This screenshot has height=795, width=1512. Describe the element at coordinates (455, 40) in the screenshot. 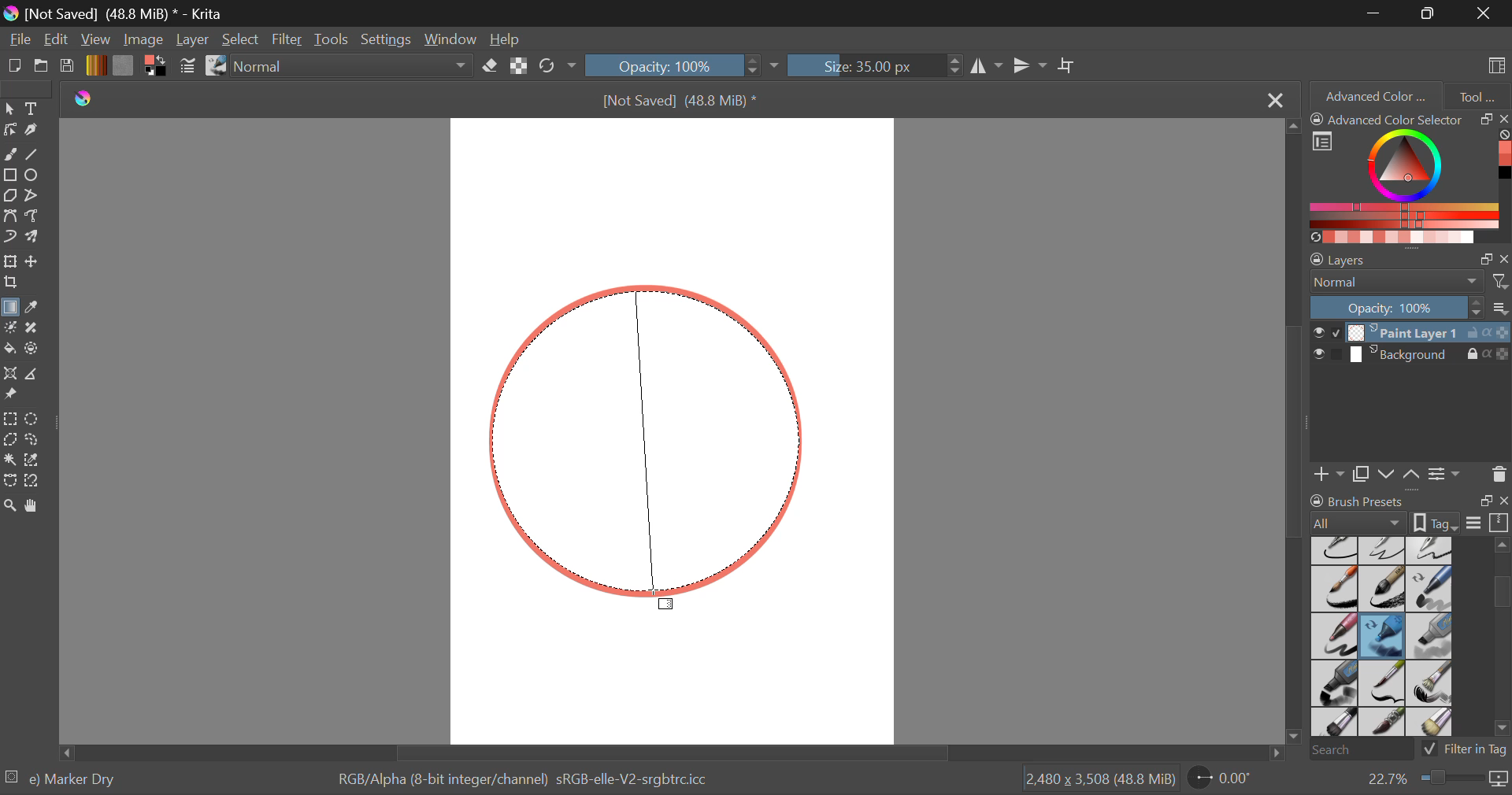

I see `Window` at that location.